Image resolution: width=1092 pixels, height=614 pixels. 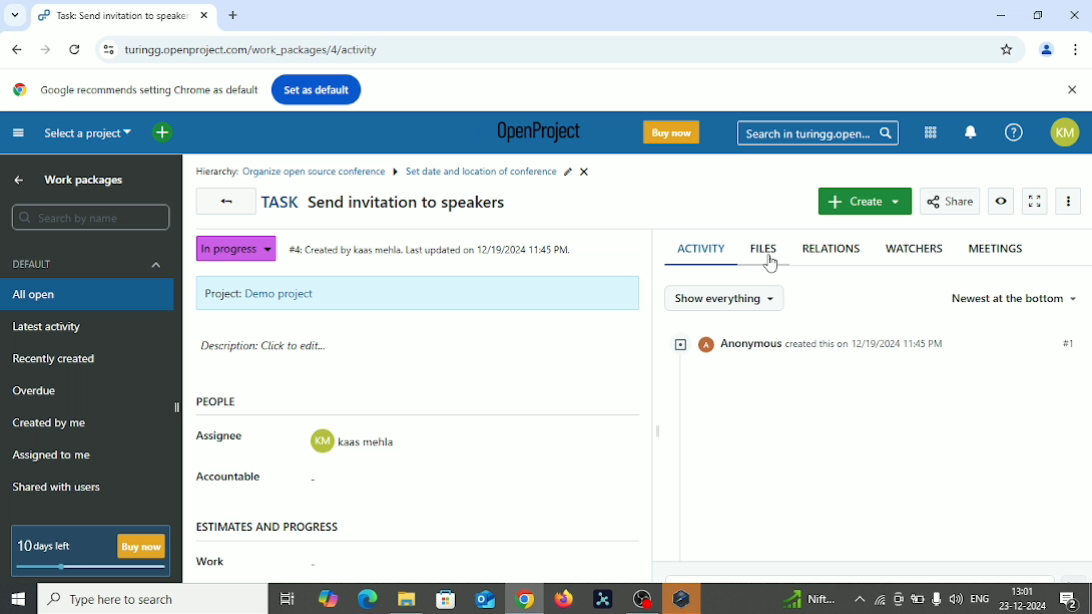 I want to click on Watchers, so click(x=914, y=248).